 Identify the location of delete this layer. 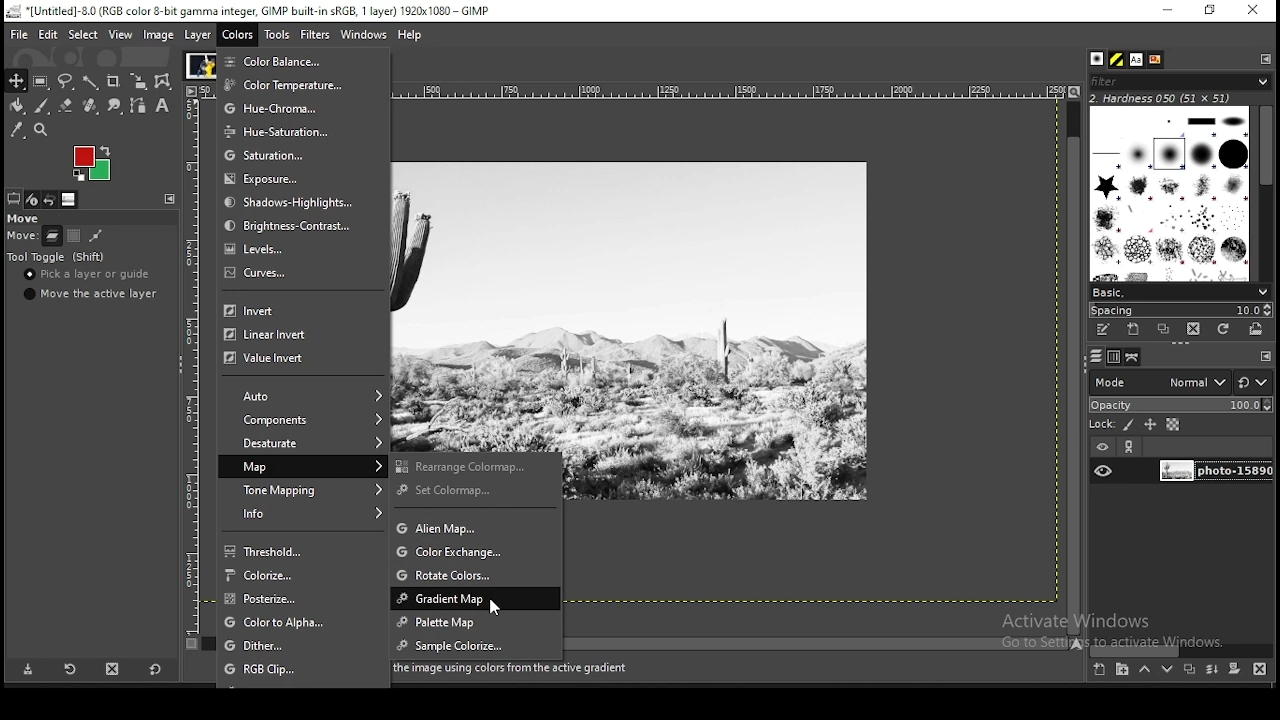
(1260, 668).